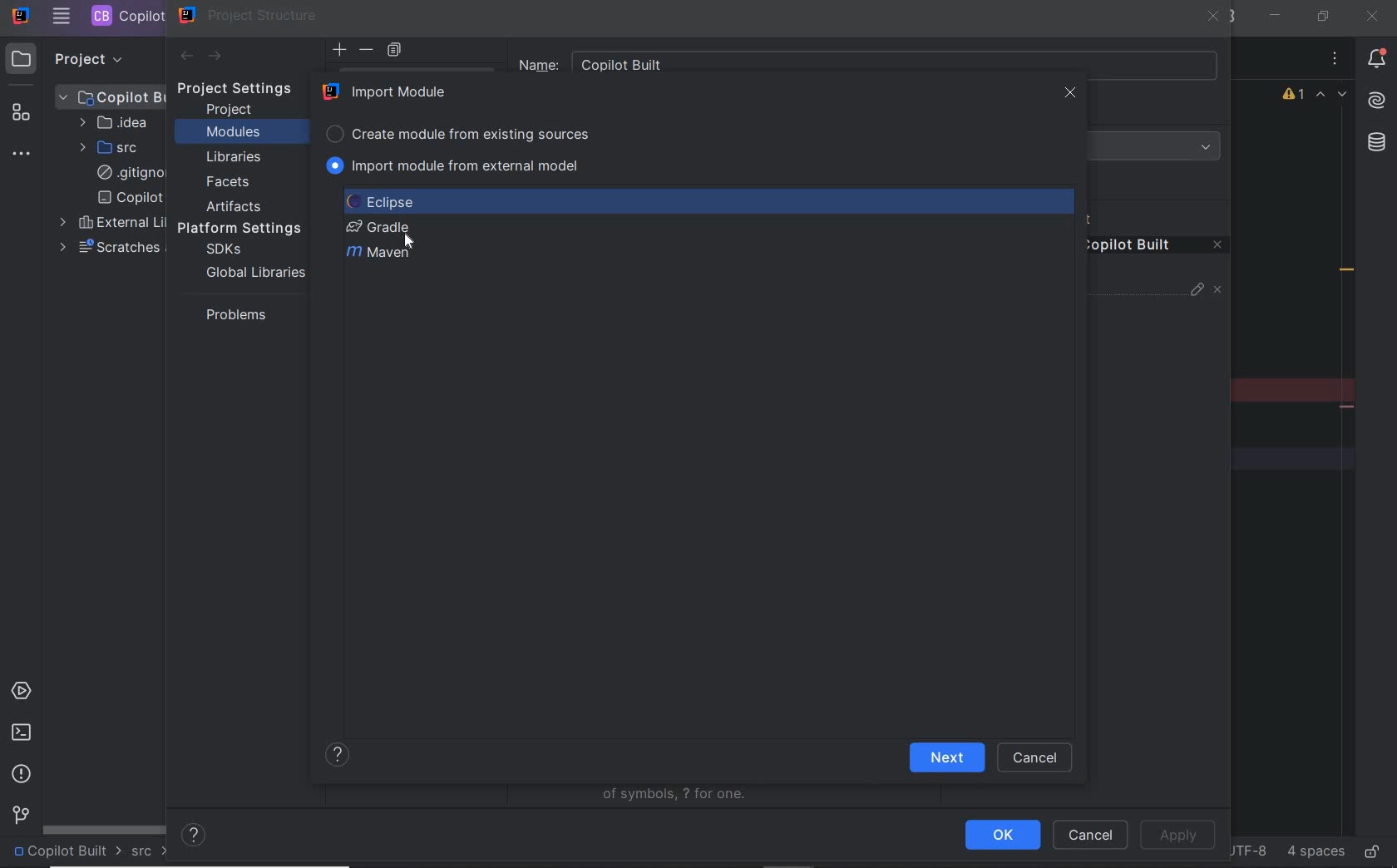 Image resolution: width=1397 pixels, height=868 pixels. I want to click on IDEA, so click(112, 122).